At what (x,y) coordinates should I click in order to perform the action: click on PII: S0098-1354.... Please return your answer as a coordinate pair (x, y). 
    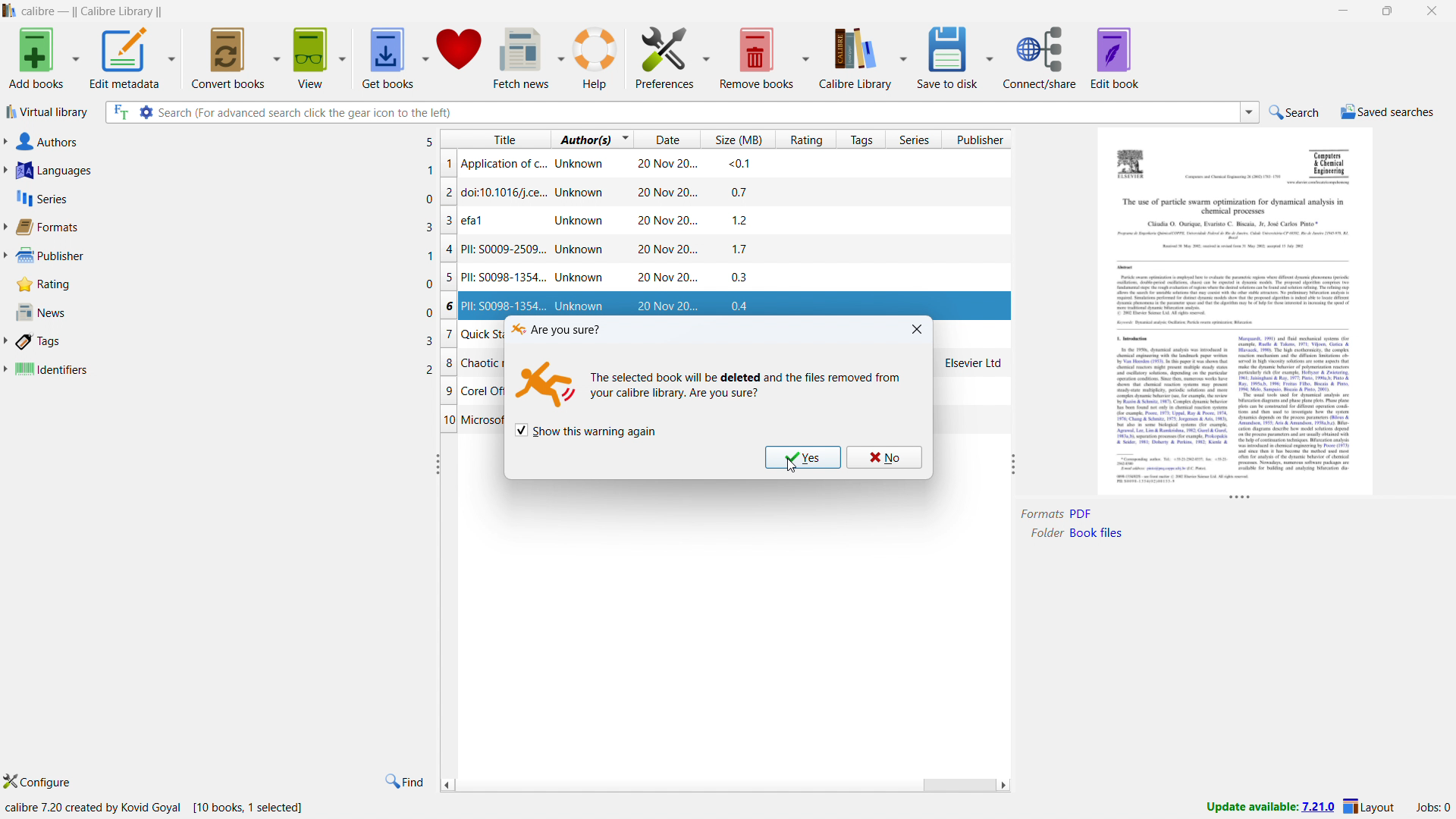
    Looking at the image, I should click on (724, 304).